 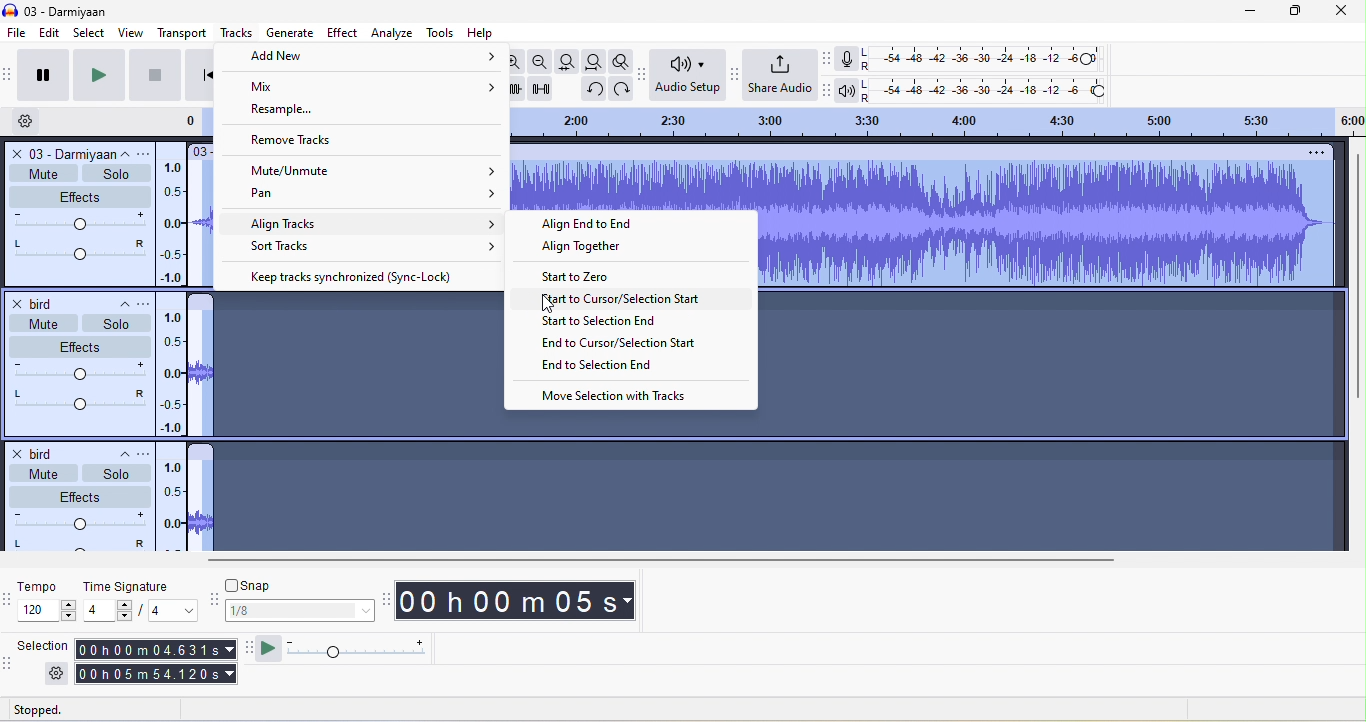 I want to click on selection, so click(x=47, y=648).